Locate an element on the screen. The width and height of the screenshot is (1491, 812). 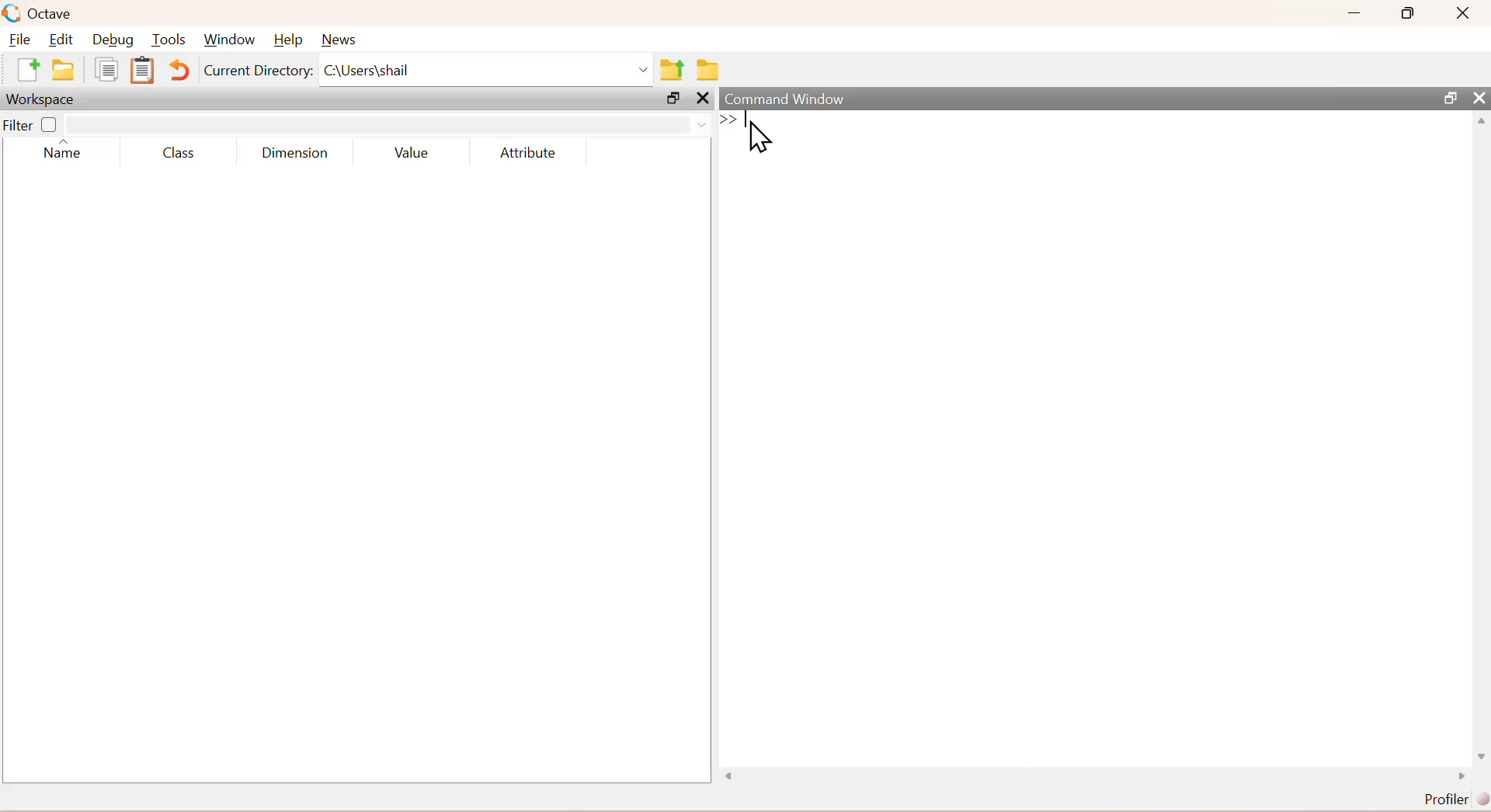
Maximize/Restore is located at coordinates (1410, 13).